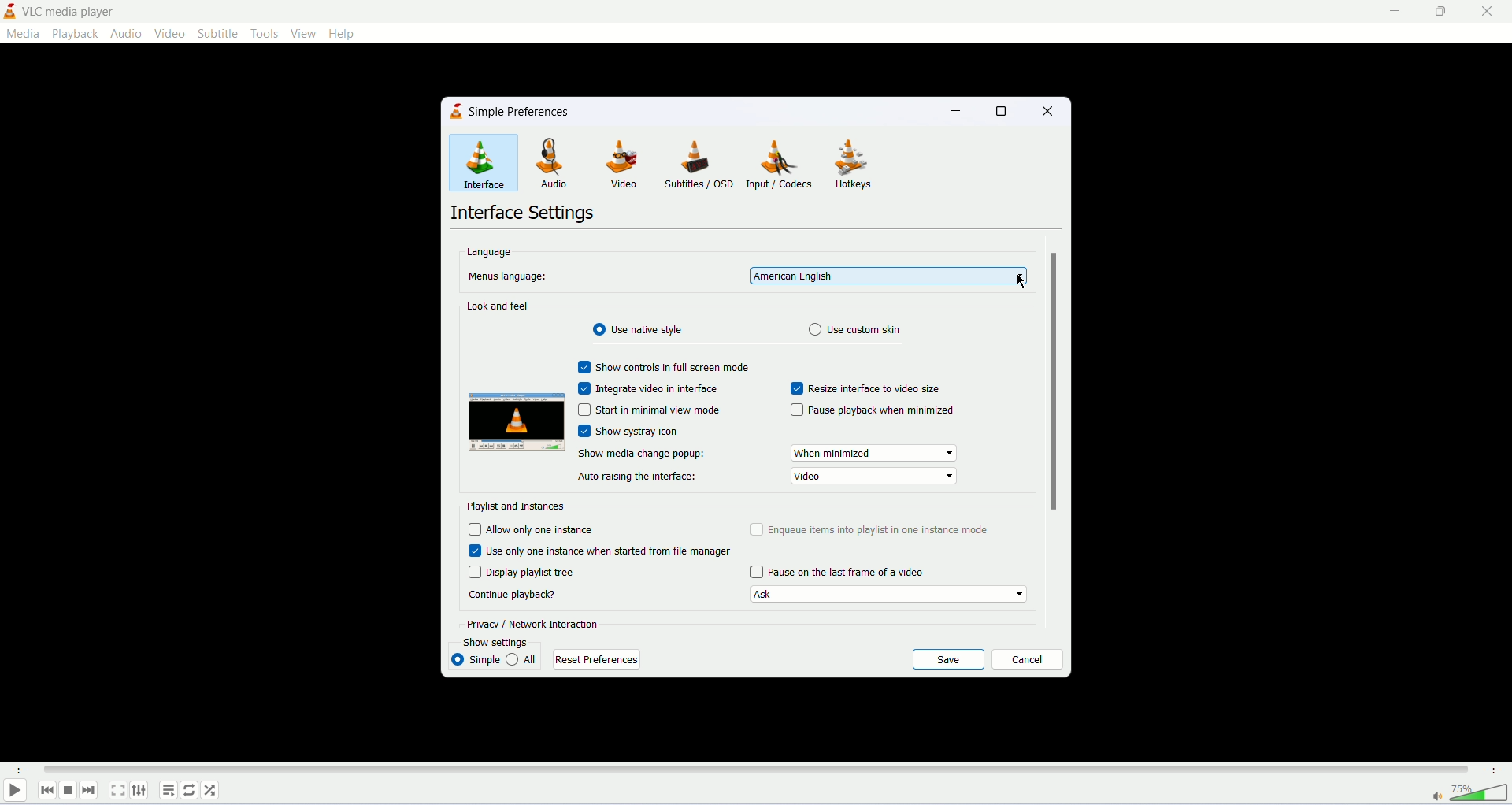 Image resolution: width=1512 pixels, height=805 pixels. I want to click on title, so click(68, 13).